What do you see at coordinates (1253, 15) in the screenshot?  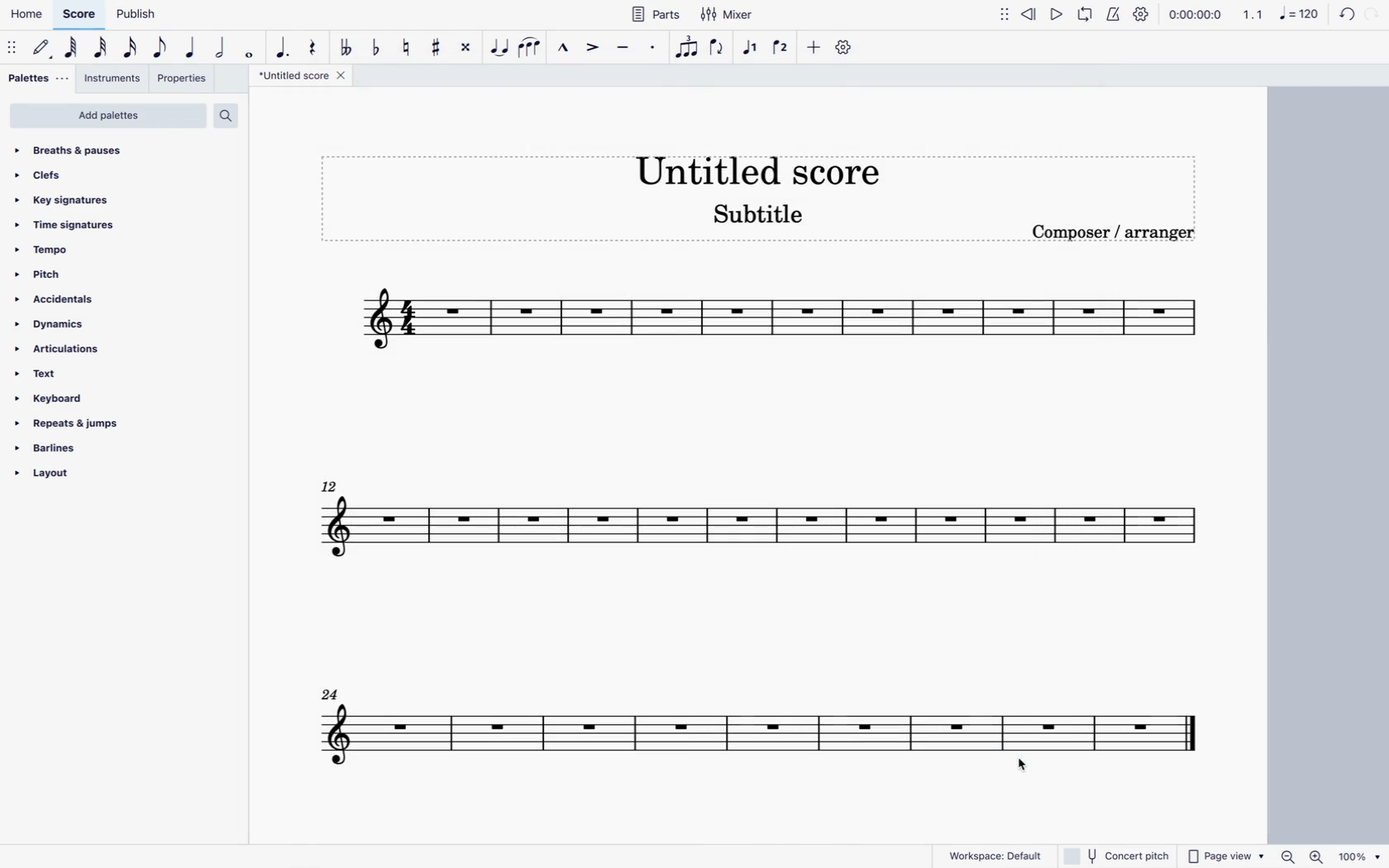 I see `1.1` at bounding box center [1253, 15].